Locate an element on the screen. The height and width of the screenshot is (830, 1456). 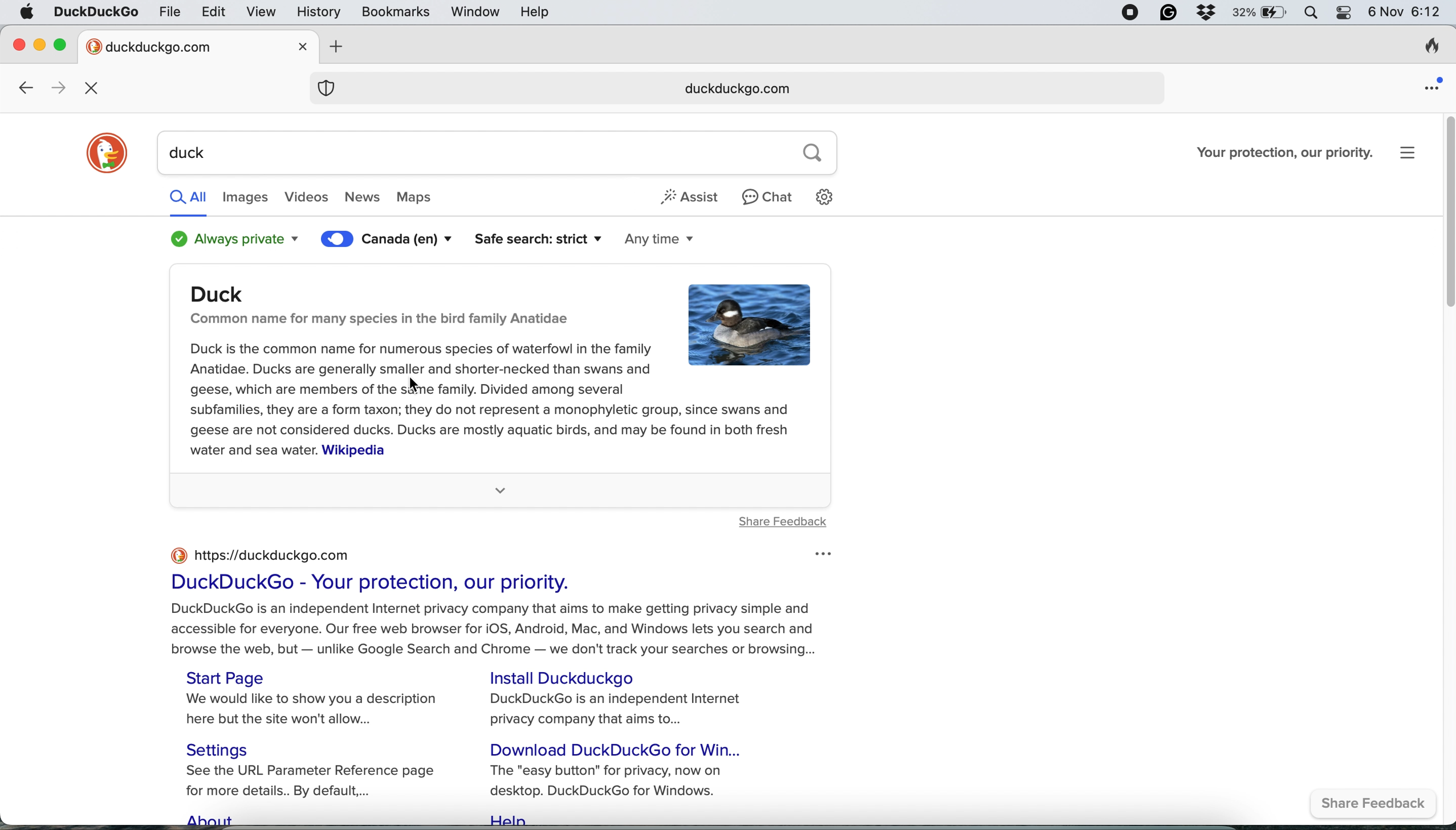
search location chosen is located at coordinates (390, 242).